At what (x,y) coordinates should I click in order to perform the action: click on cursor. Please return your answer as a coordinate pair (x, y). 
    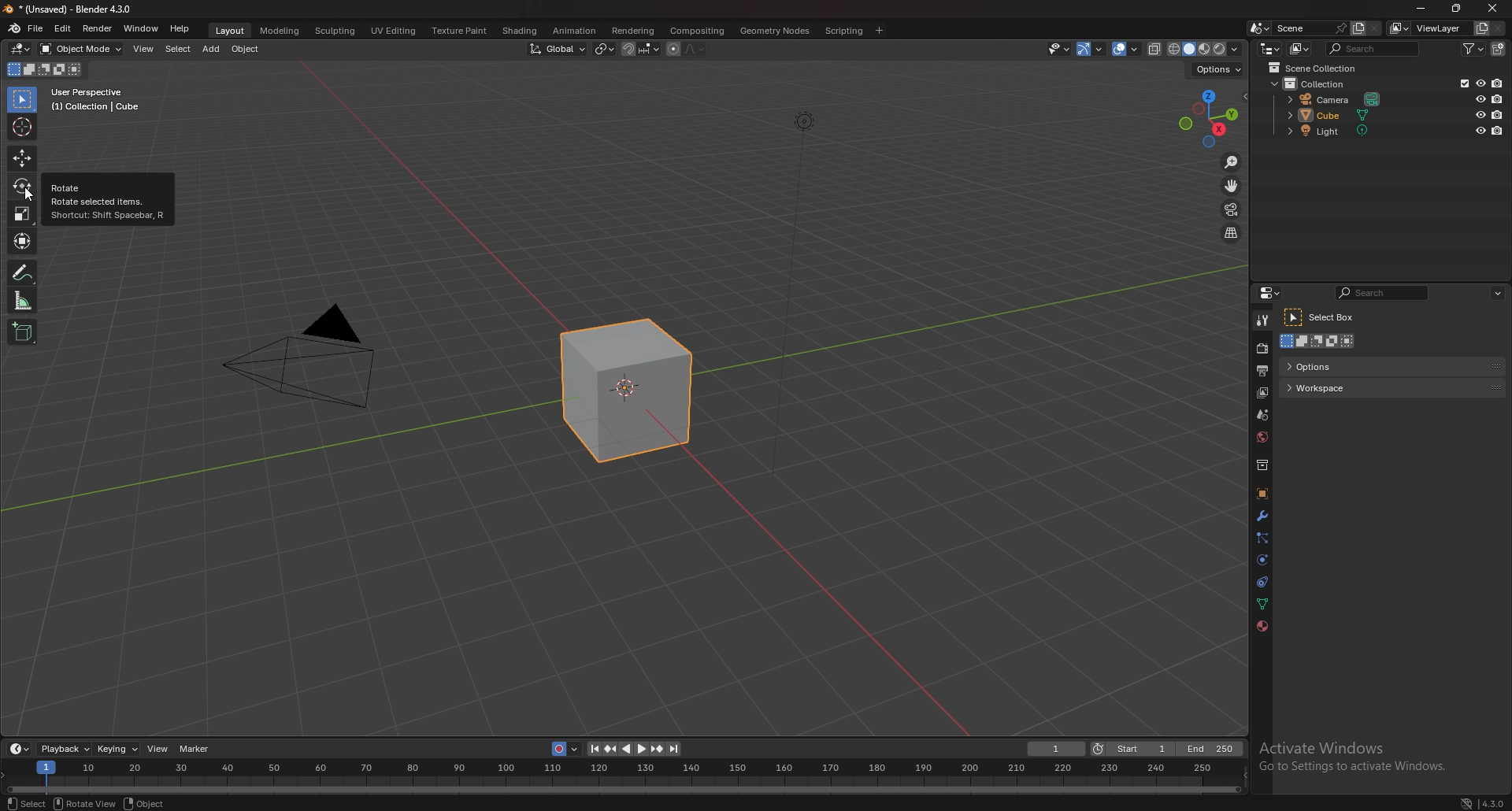
    Looking at the image, I should click on (21, 126).